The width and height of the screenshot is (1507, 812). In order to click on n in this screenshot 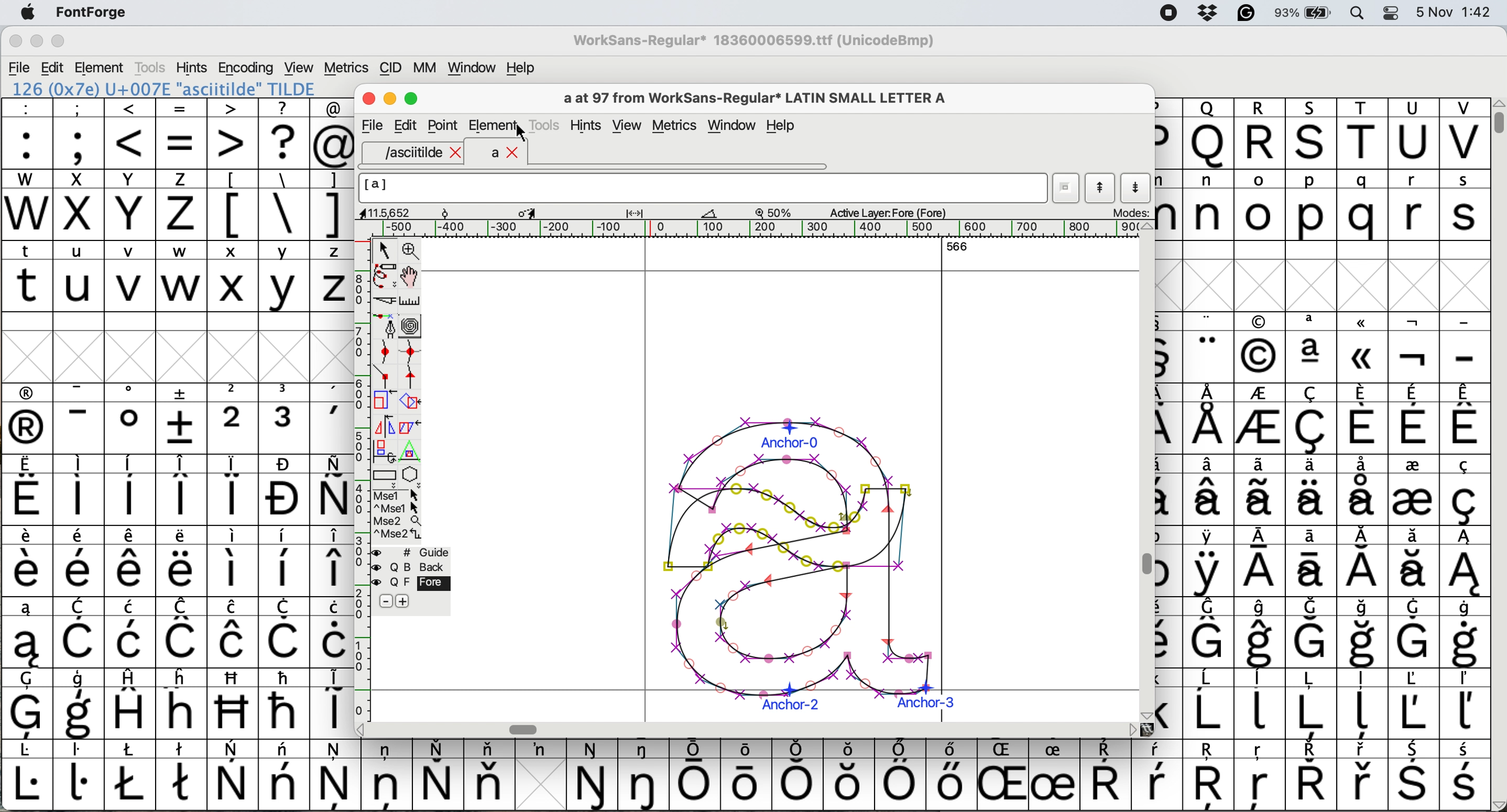, I will do `click(1208, 204)`.